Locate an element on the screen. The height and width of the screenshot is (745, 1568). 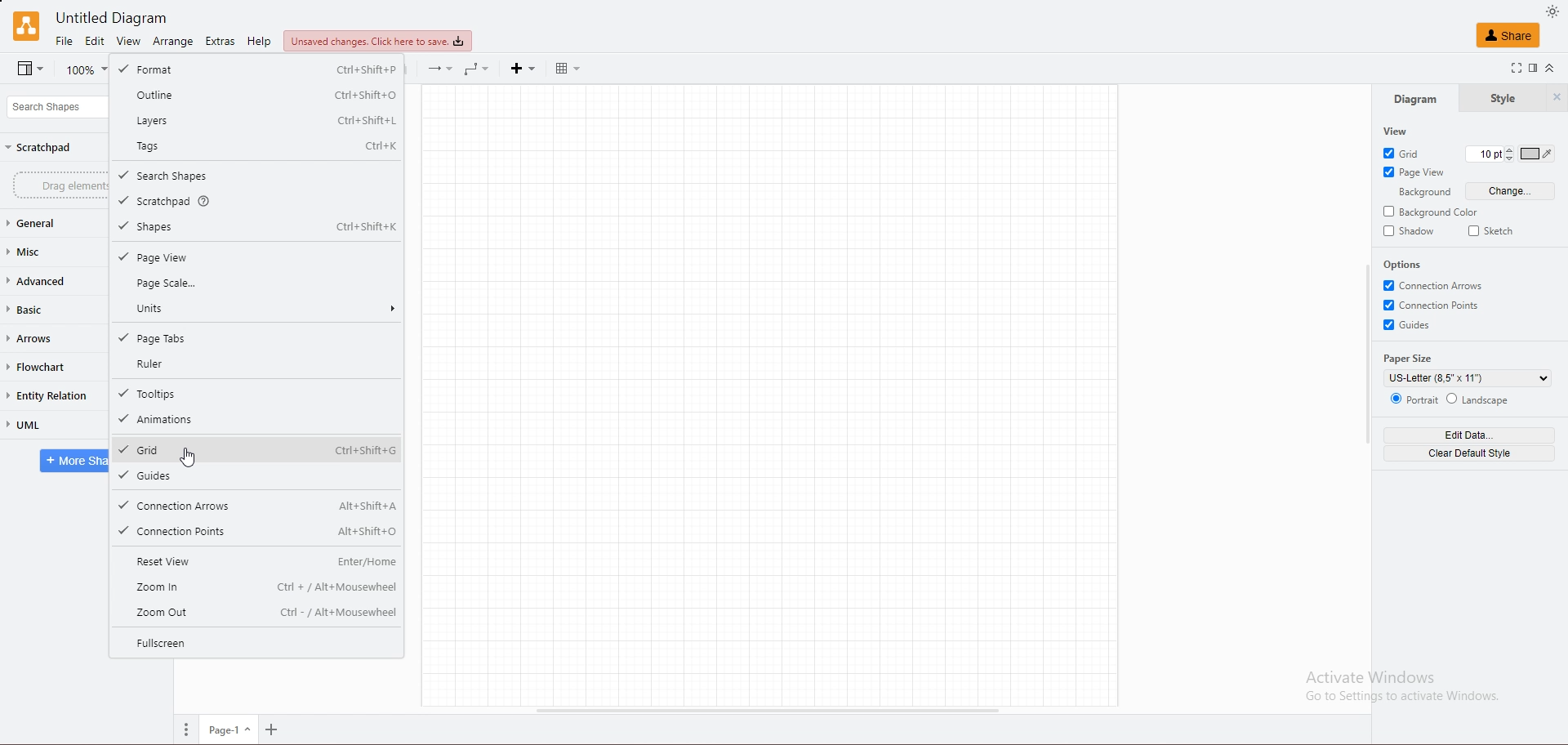
draw.io logo is located at coordinates (23, 26).